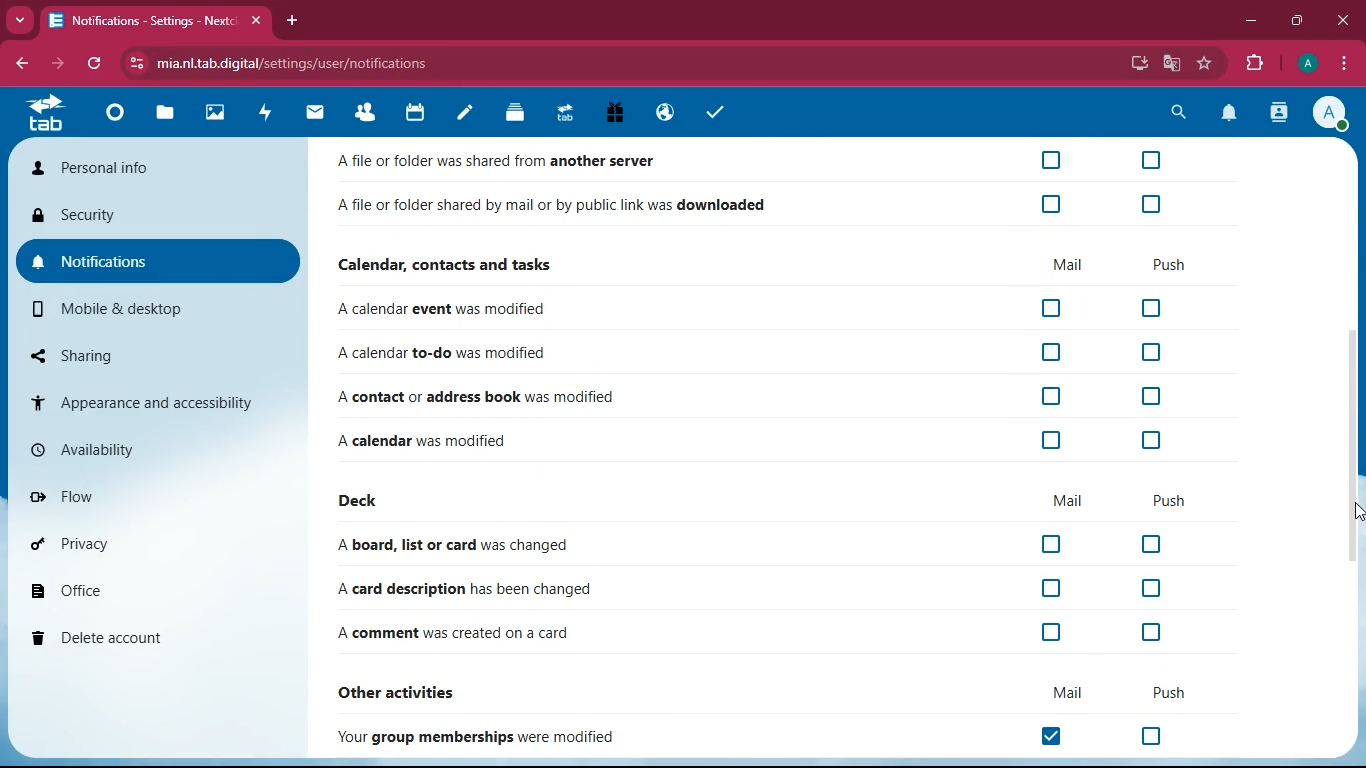  What do you see at coordinates (150, 542) in the screenshot?
I see `privacy` at bounding box center [150, 542].